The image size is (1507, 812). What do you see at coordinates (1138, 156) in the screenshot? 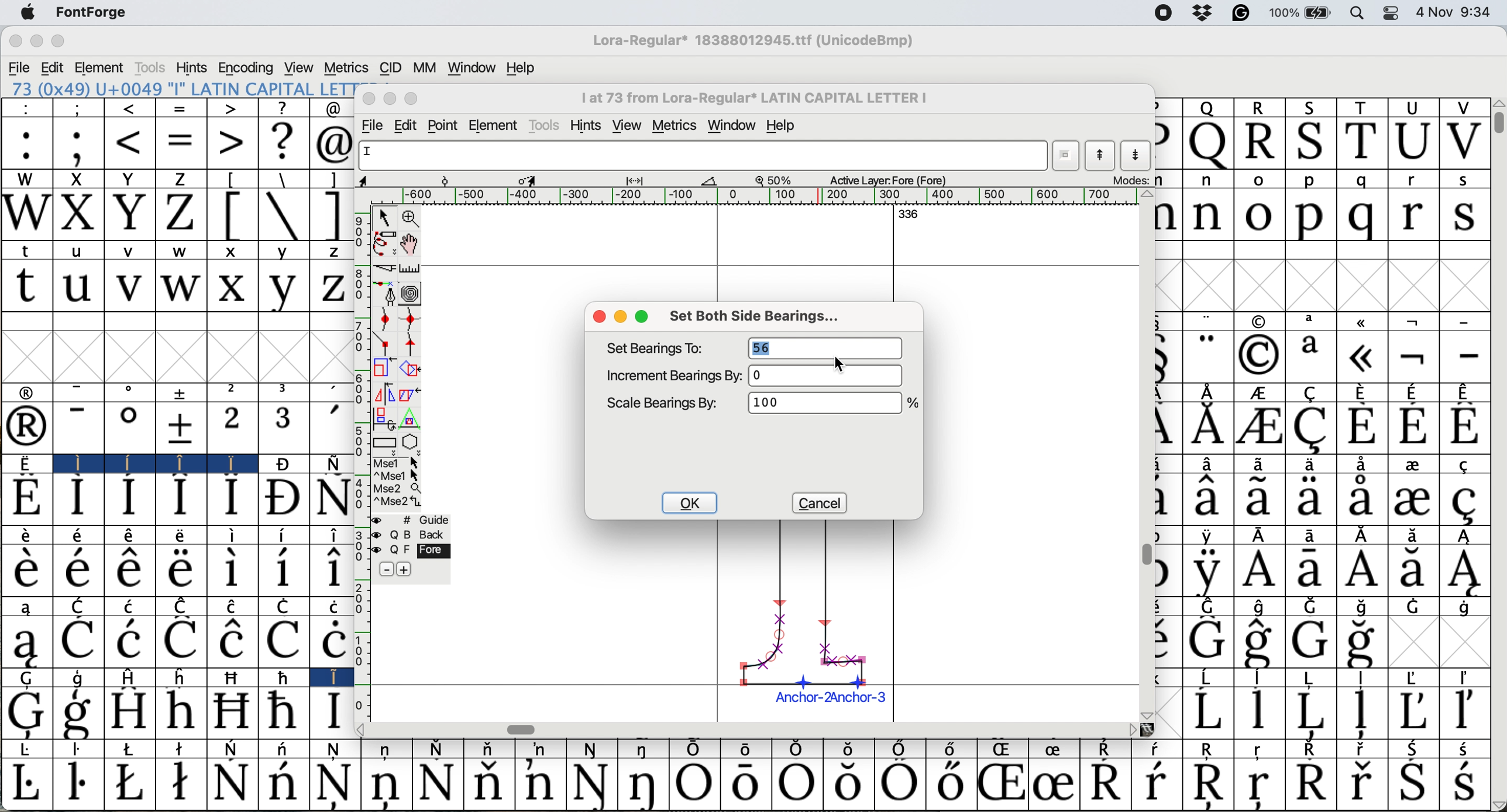
I see `show next letter` at bounding box center [1138, 156].